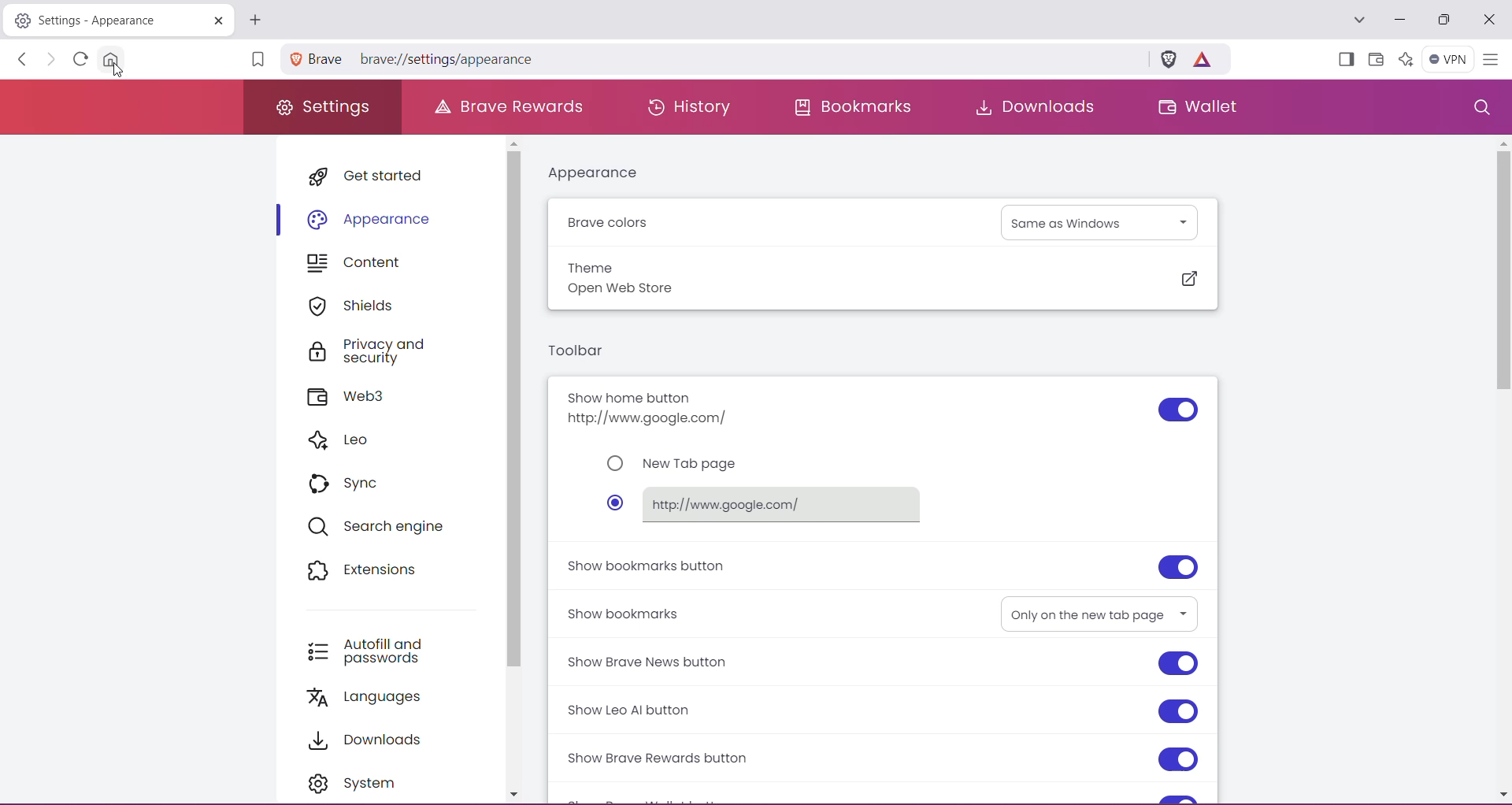  What do you see at coordinates (577, 353) in the screenshot?
I see `Toolbar` at bounding box center [577, 353].